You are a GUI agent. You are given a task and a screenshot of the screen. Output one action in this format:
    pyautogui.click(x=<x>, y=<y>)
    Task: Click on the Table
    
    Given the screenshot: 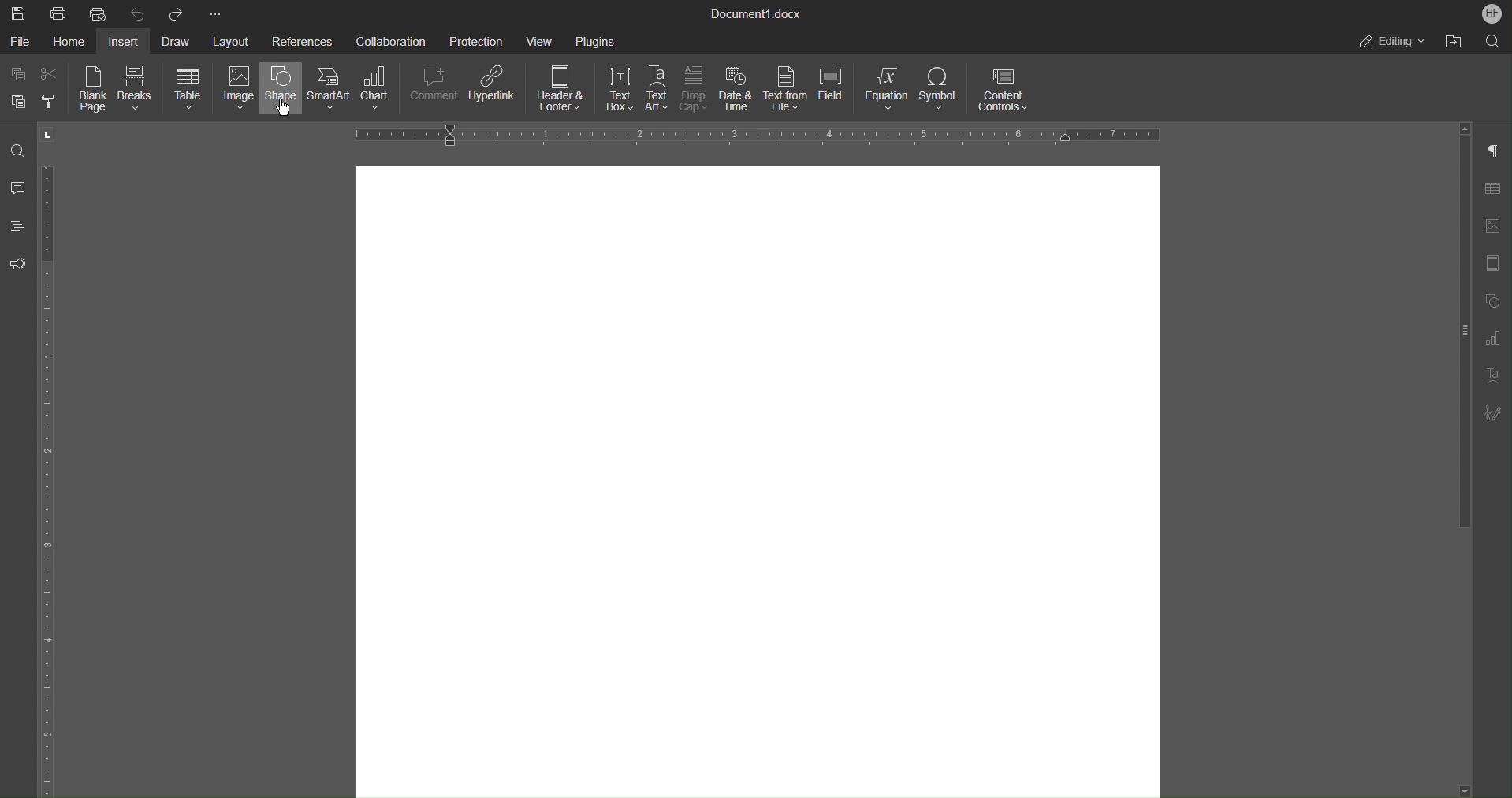 What is the action you would take?
    pyautogui.click(x=188, y=90)
    